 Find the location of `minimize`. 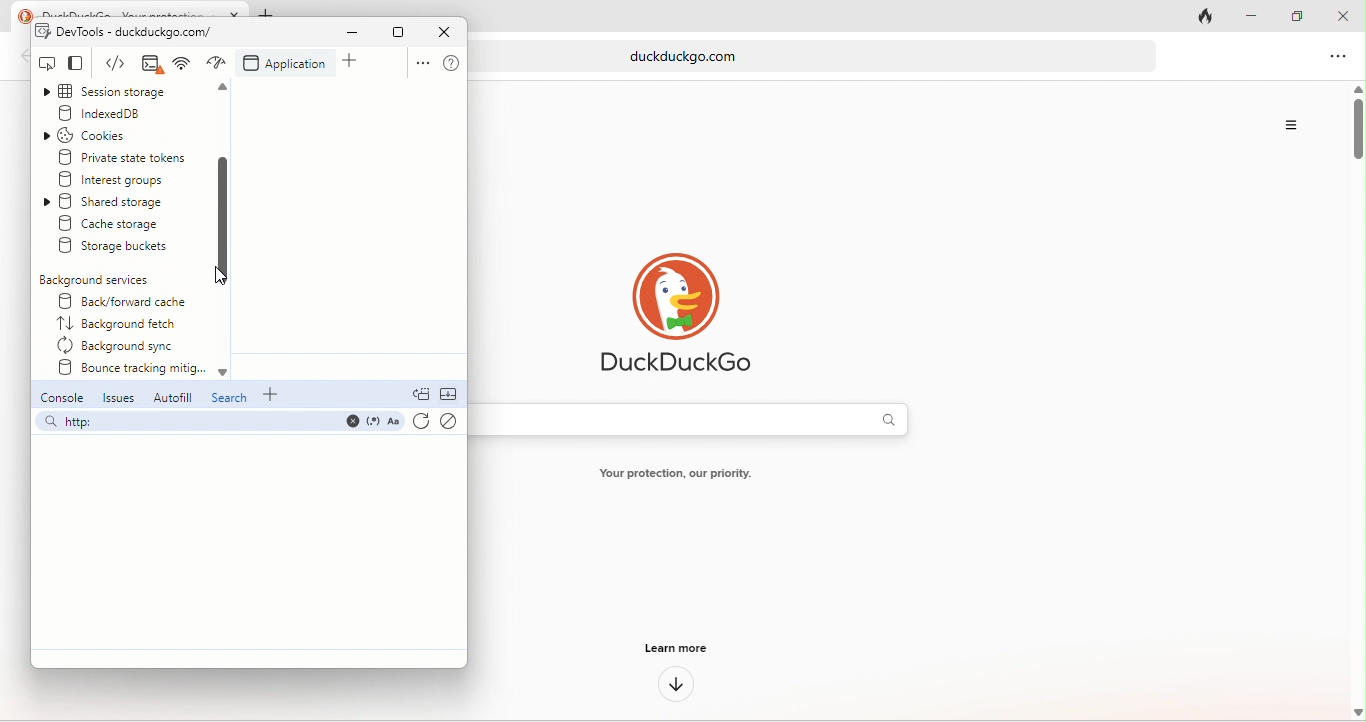

minimize is located at coordinates (345, 34).